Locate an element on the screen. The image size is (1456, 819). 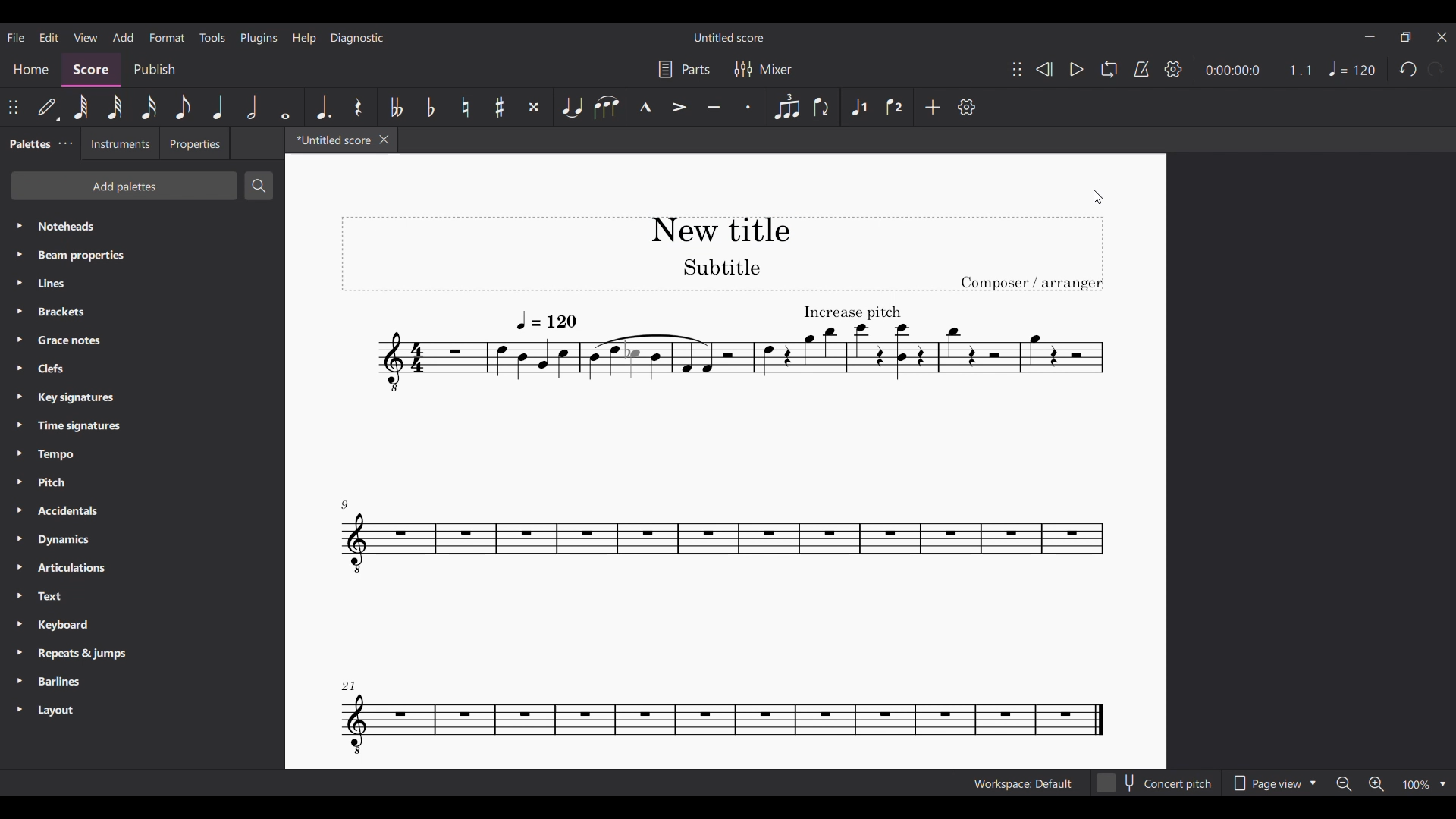
32nd note is located at coordinates (115, 107).